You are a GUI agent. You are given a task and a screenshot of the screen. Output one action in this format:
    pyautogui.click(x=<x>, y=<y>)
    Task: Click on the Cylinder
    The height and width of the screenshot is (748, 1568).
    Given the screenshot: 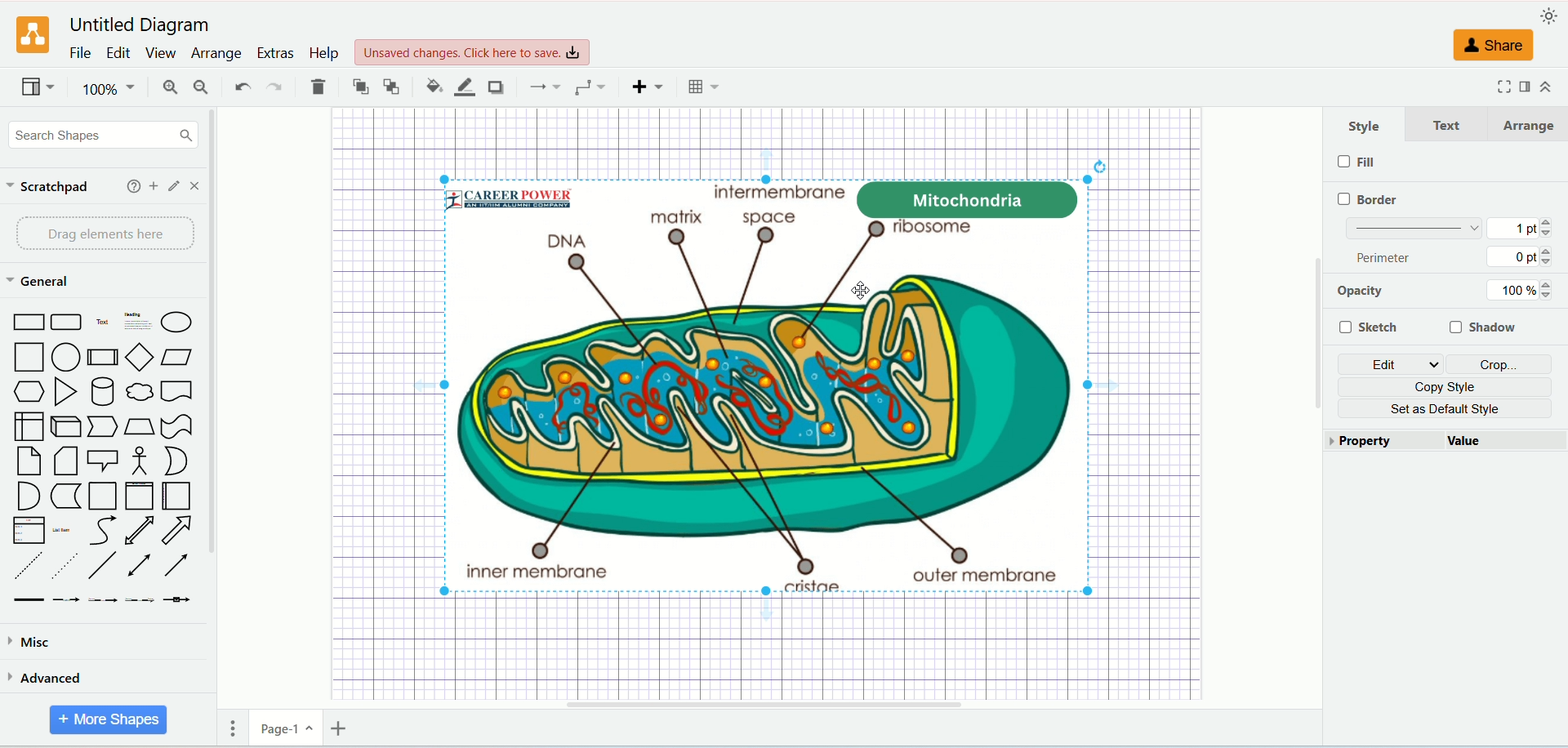 What is the action you would take?
    pyautogui.click(x=105, y=394)
    